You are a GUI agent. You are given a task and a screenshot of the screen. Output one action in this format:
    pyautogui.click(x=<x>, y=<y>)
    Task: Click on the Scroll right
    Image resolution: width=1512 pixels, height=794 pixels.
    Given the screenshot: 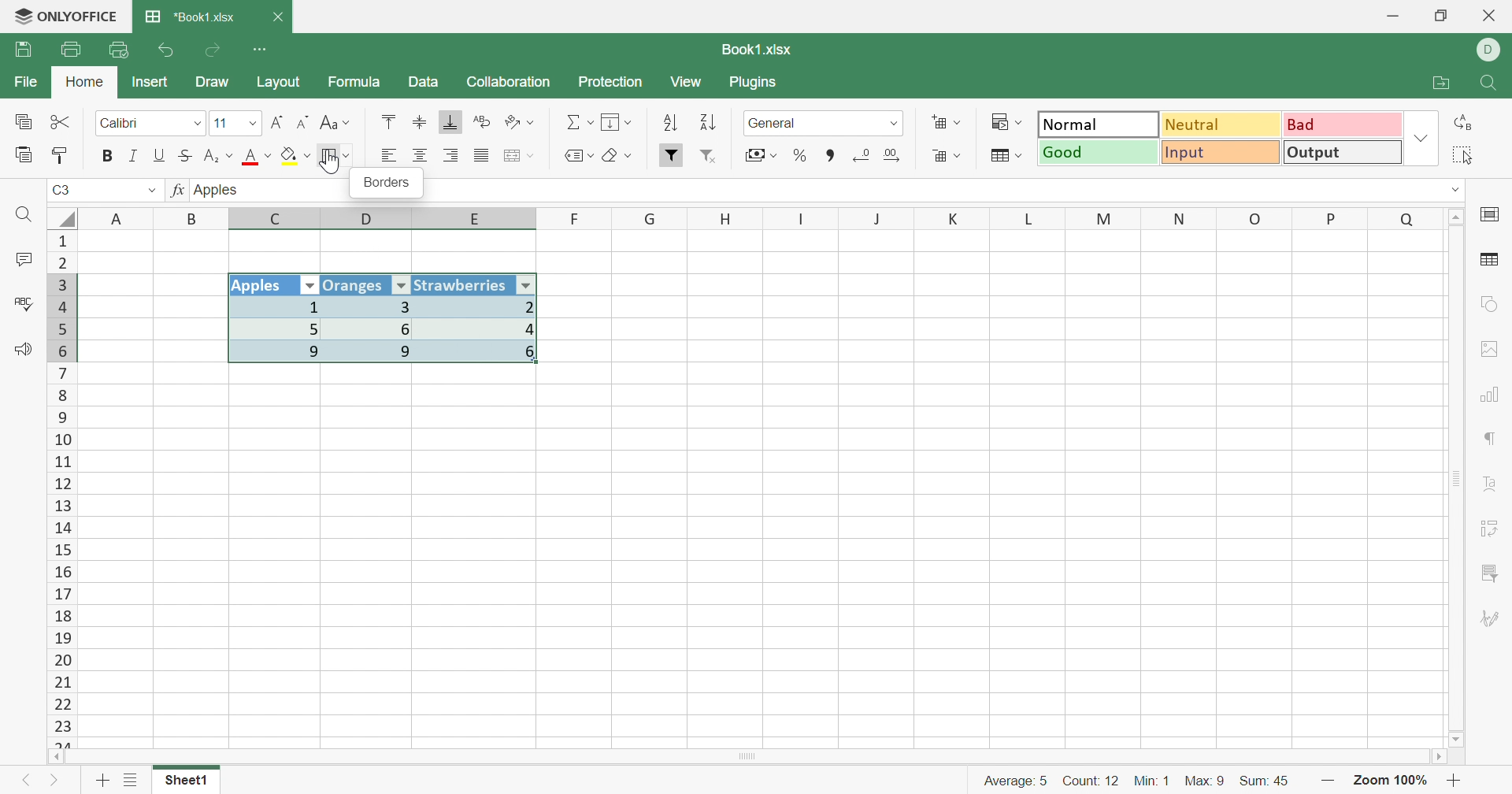 What is the action you would take?
    pyautogui.click(x=1436, y=757)
    